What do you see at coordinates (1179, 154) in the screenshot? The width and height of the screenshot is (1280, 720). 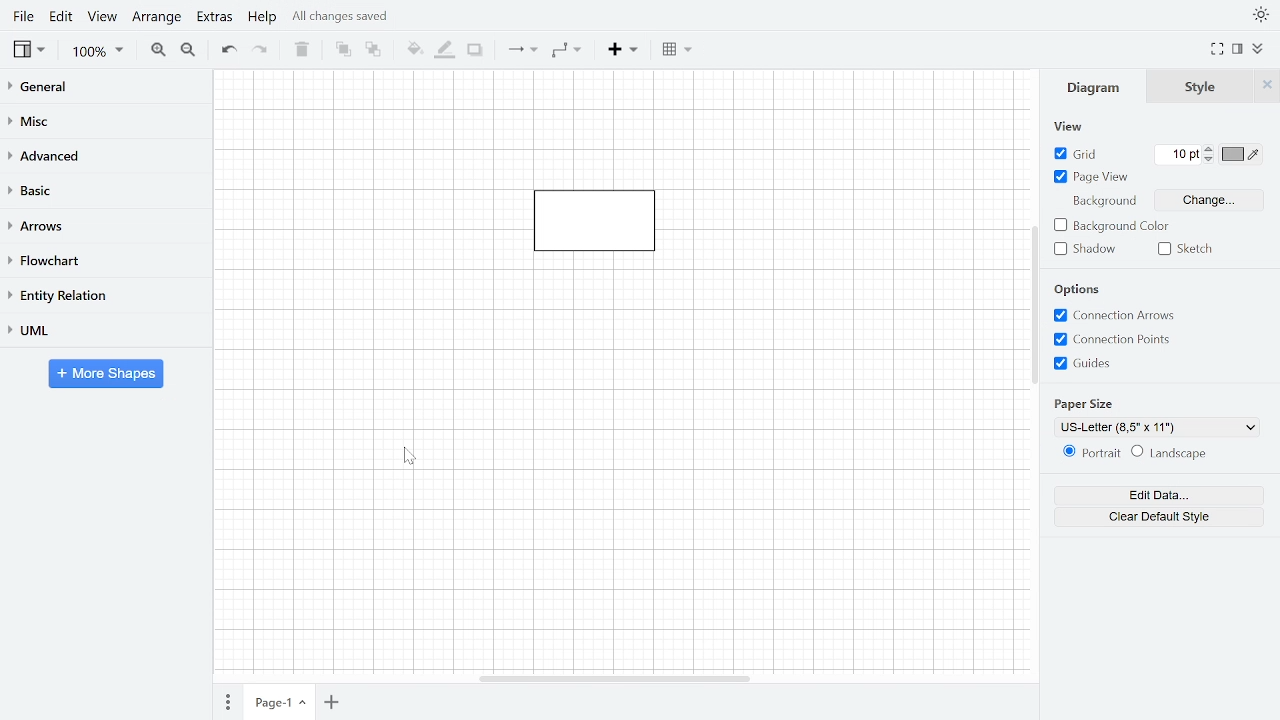 I see `Current grid` at bounding box center [1179, 154].